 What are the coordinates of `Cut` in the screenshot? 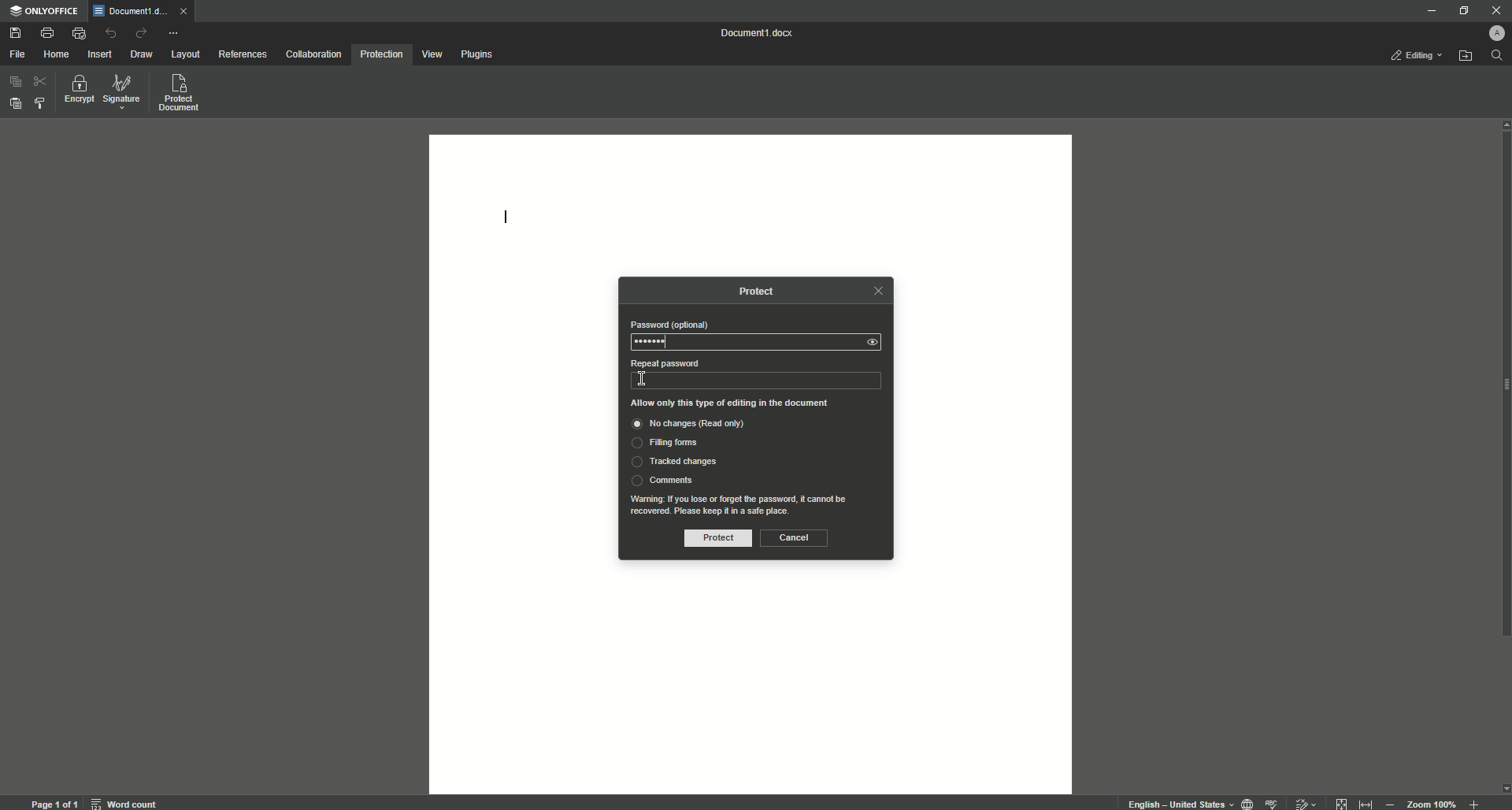 It's located at (39, 82).